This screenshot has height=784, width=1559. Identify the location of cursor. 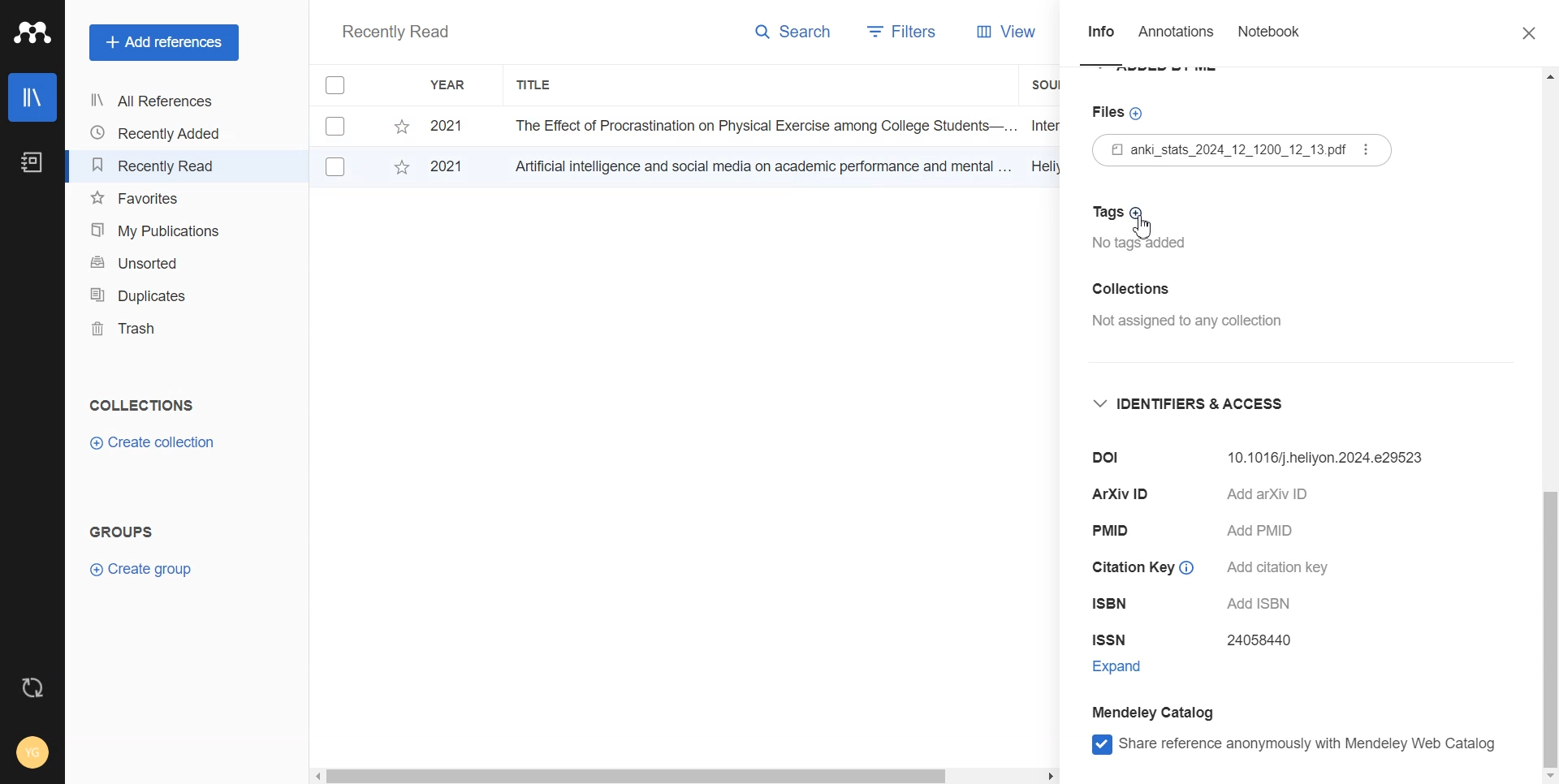
(1148, 226).